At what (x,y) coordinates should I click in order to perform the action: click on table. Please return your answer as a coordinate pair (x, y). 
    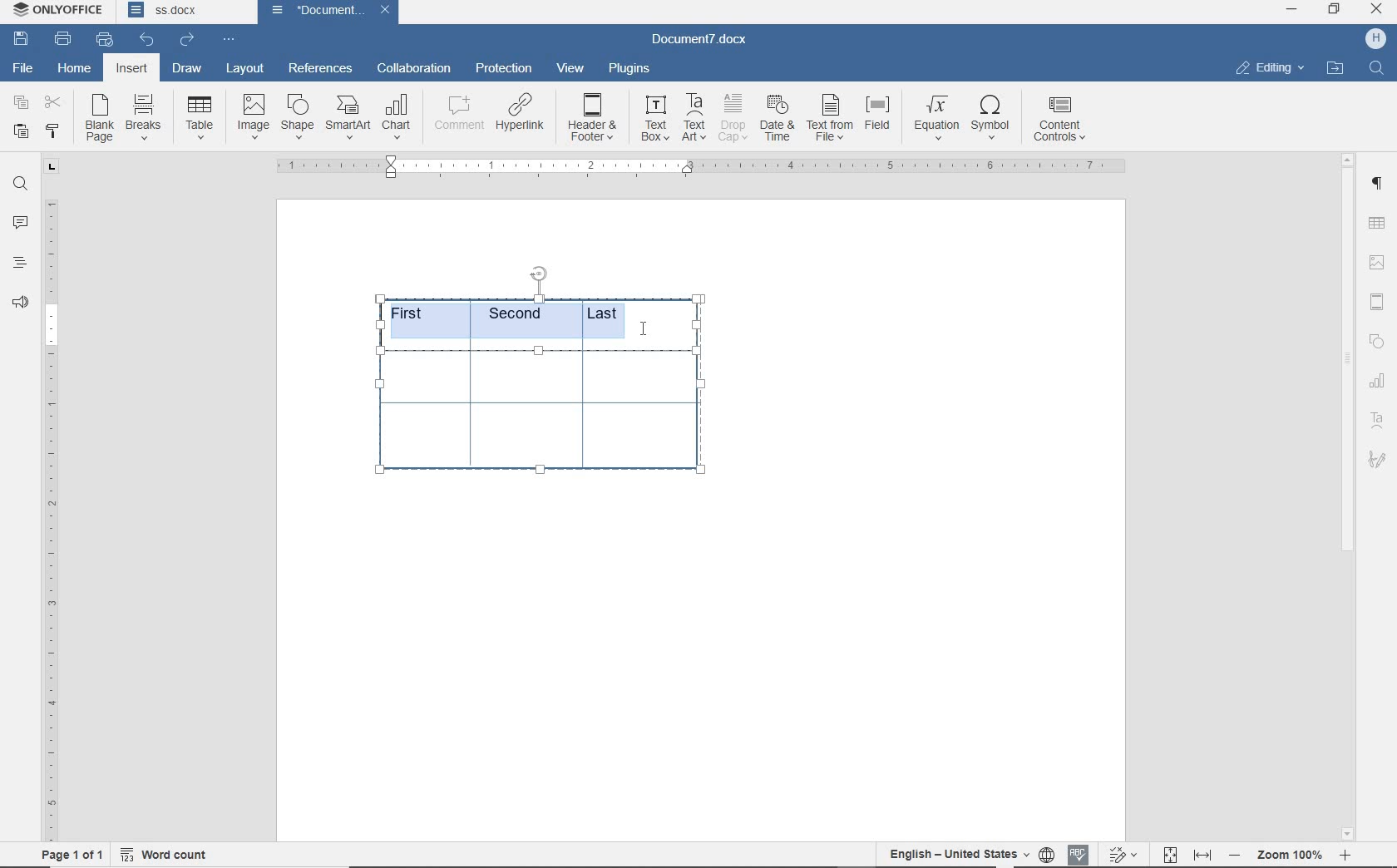
    Looking at the image, I should click on (548, 422).